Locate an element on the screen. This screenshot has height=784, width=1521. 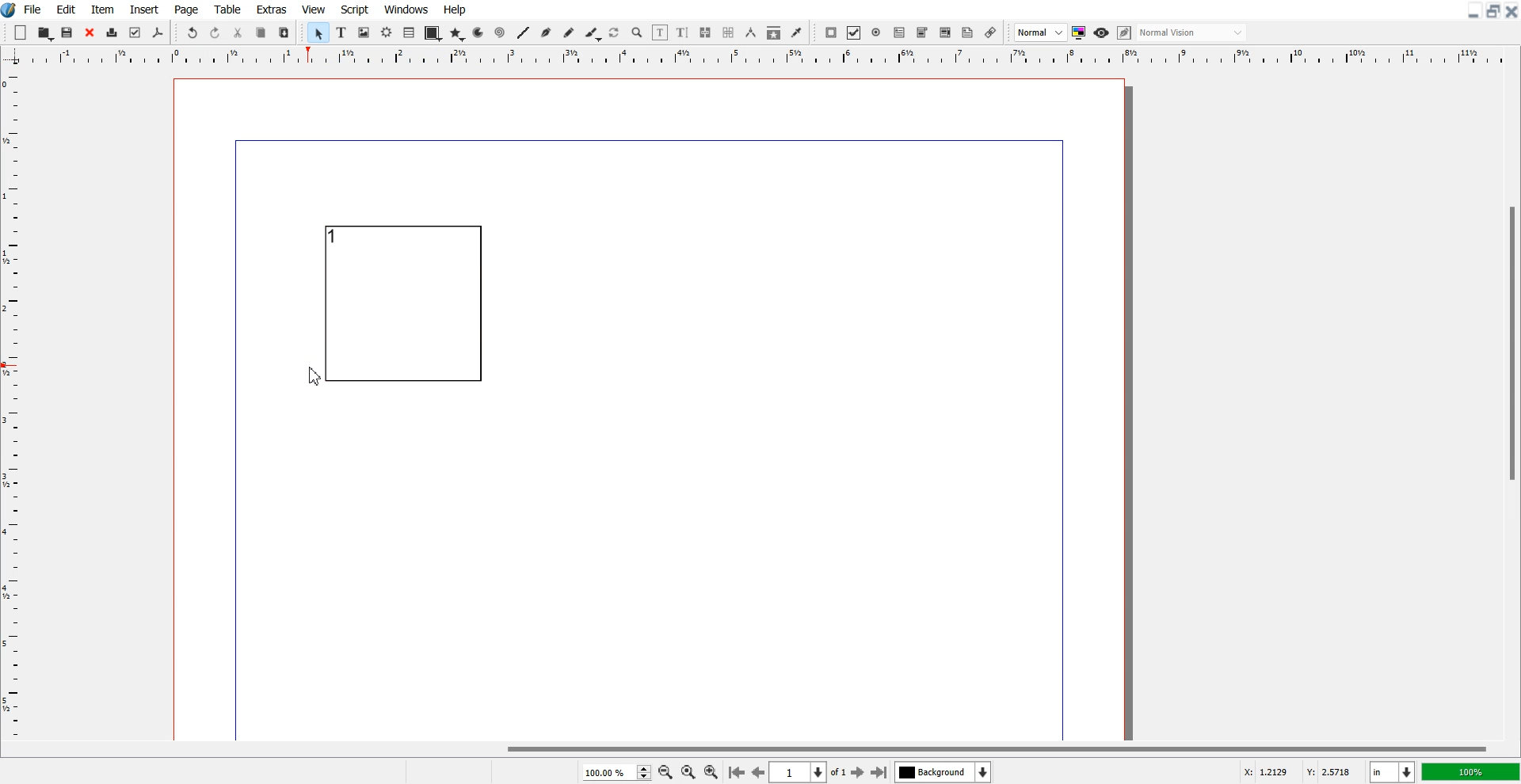
Select the current layer is located at coordinates (945, 772).